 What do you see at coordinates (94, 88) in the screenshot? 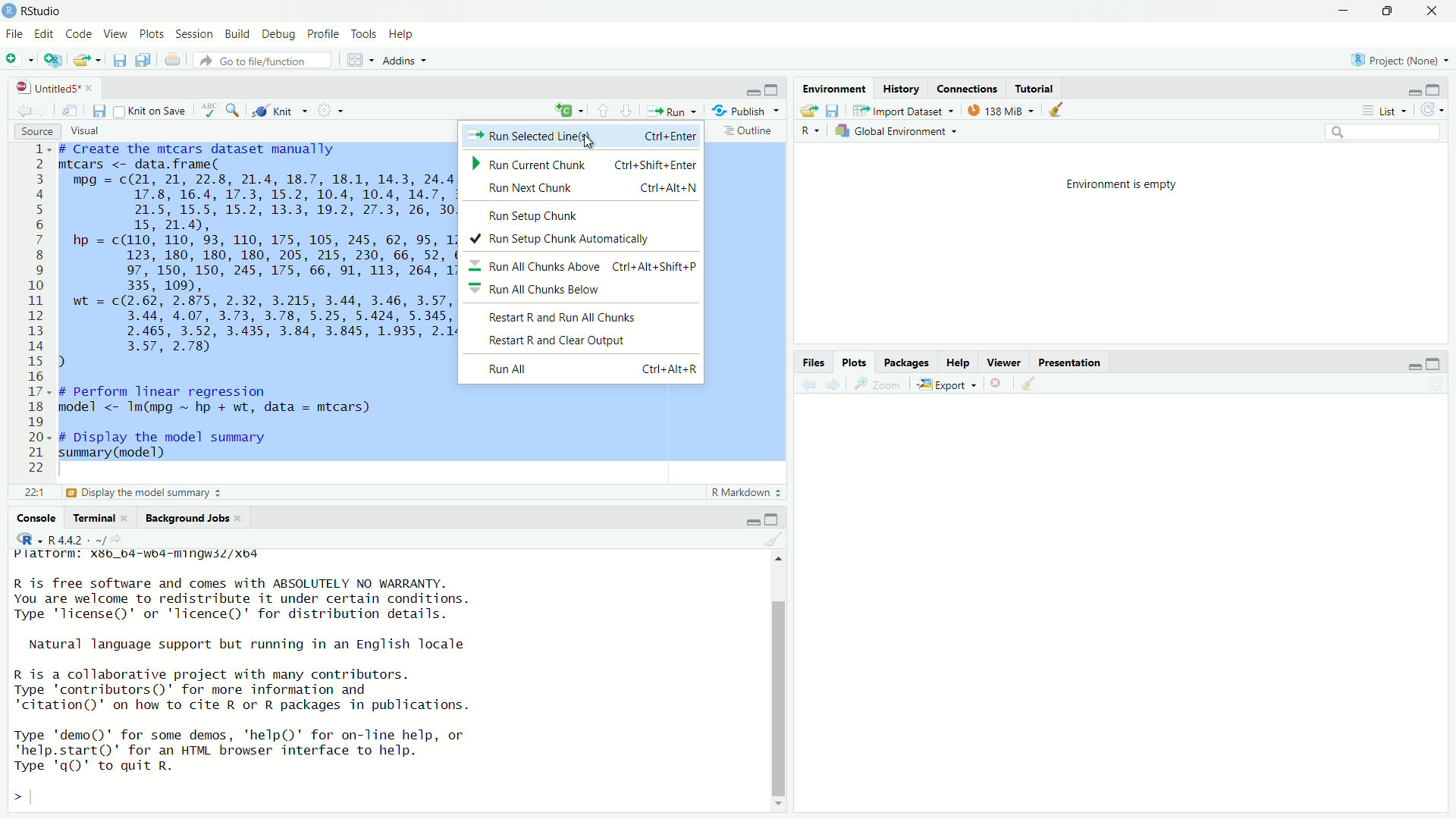
I see `close` at bounding box center [94, 88].